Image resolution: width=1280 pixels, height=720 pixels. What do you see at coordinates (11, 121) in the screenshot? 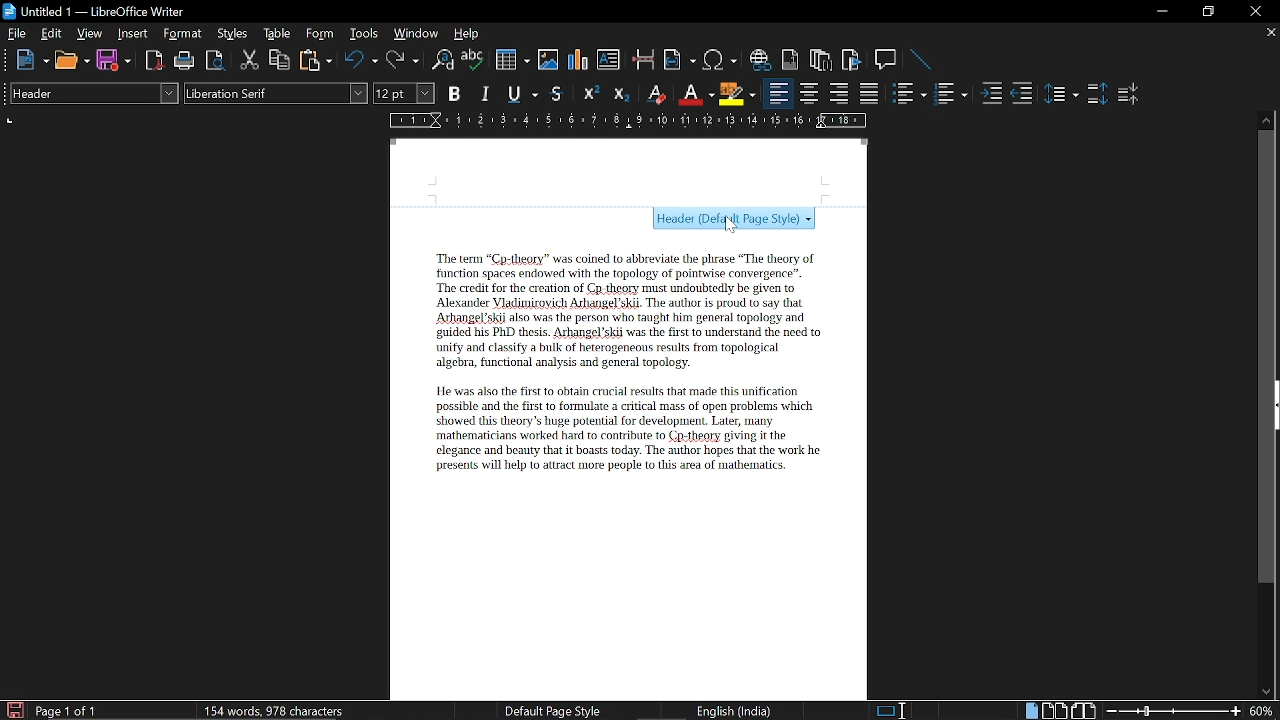
I see `units` at bounding box center [11, 121].